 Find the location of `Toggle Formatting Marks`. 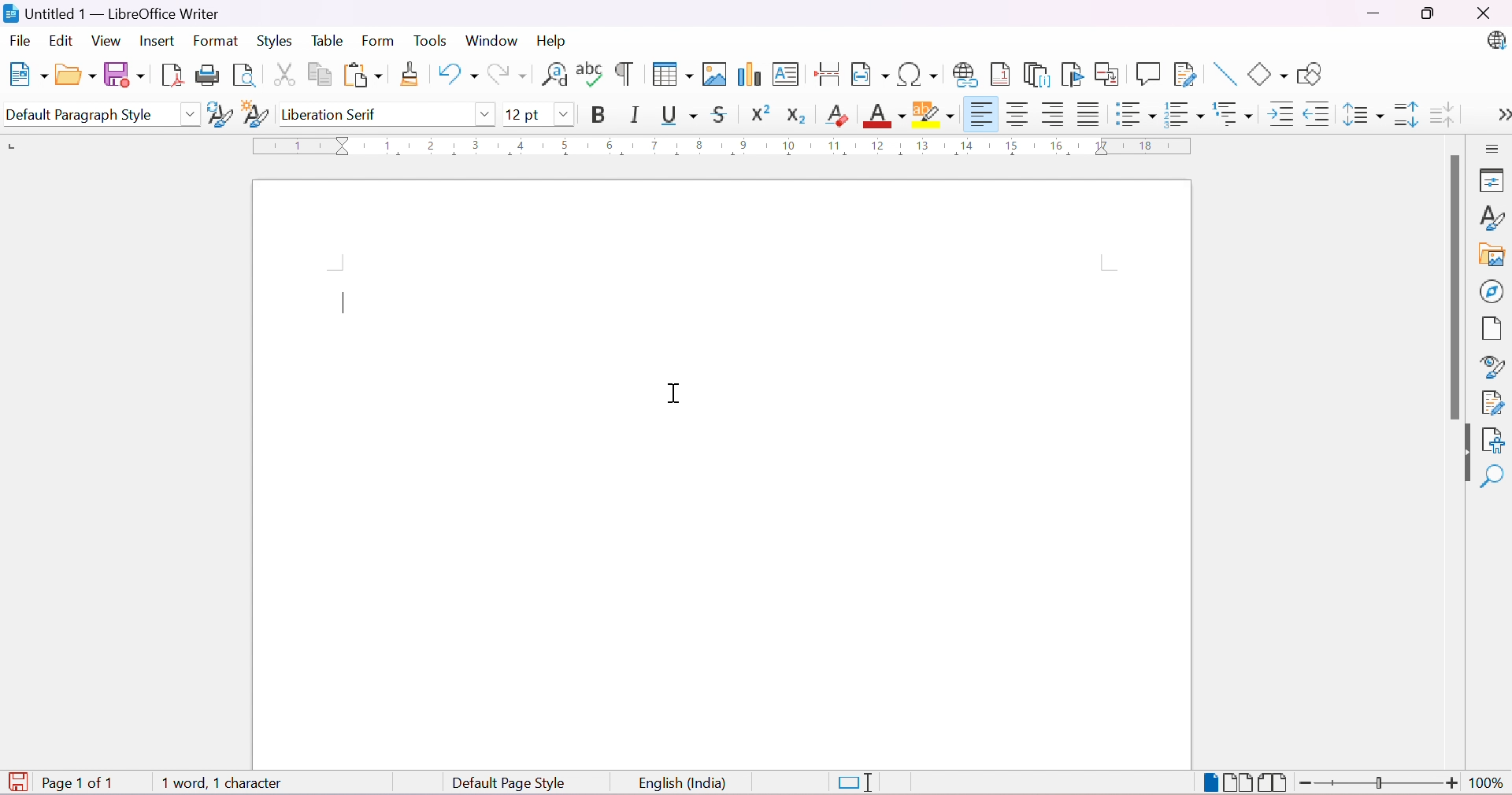

Toggle Formatting Marks is located at coordinates (624, 74).